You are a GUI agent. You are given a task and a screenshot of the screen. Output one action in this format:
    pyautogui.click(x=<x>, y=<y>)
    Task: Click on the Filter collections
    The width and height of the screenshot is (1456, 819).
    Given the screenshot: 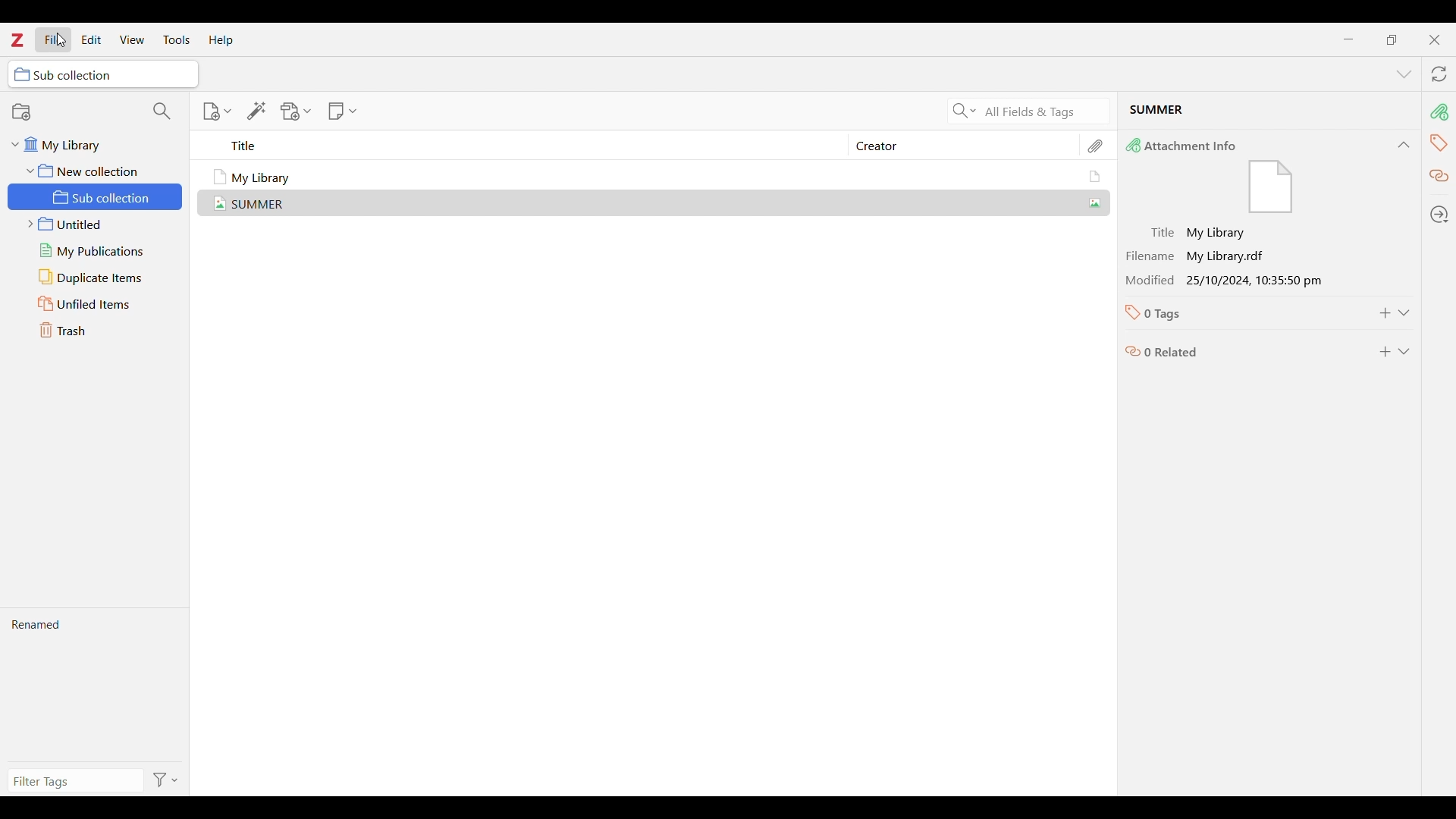 What is the action you would take?
    pyautogui.click(x=162, y=111)
    